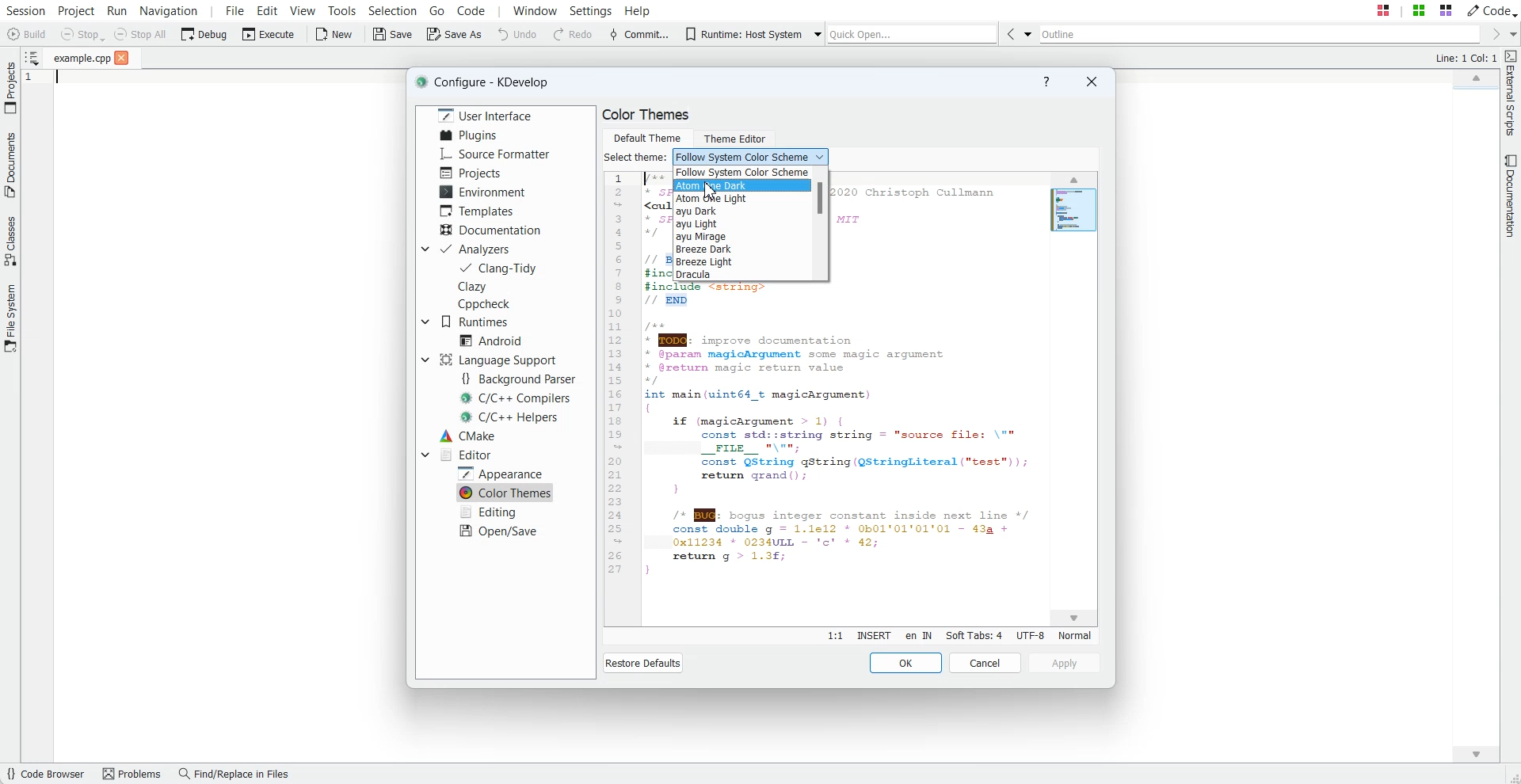  Describe the element at coordinates (504, 473) in the screenshot. I see `Apperarnce` at that location.